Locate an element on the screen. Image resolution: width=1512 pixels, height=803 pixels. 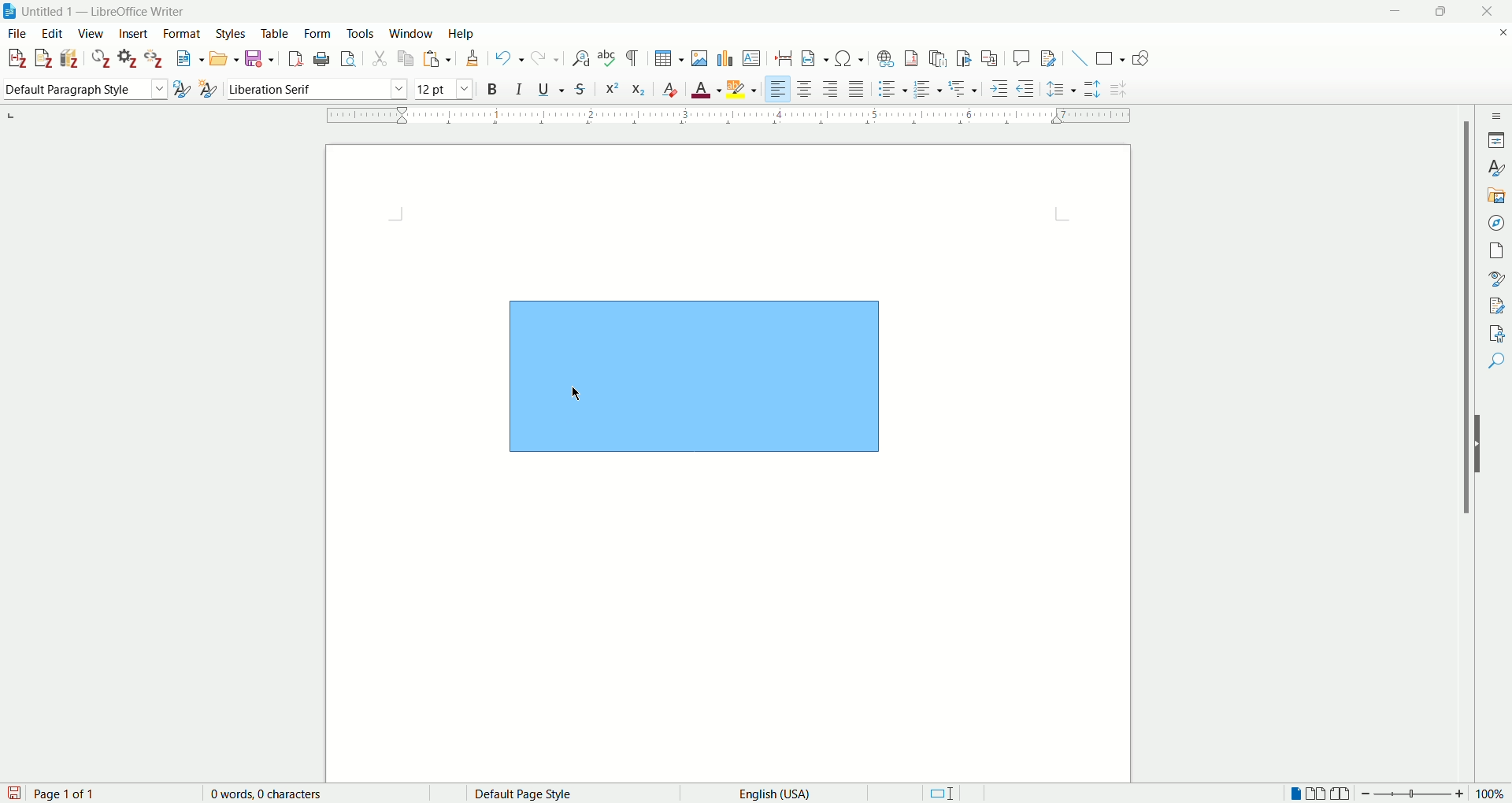
accessibility check is located at coordinates (1496, 331).